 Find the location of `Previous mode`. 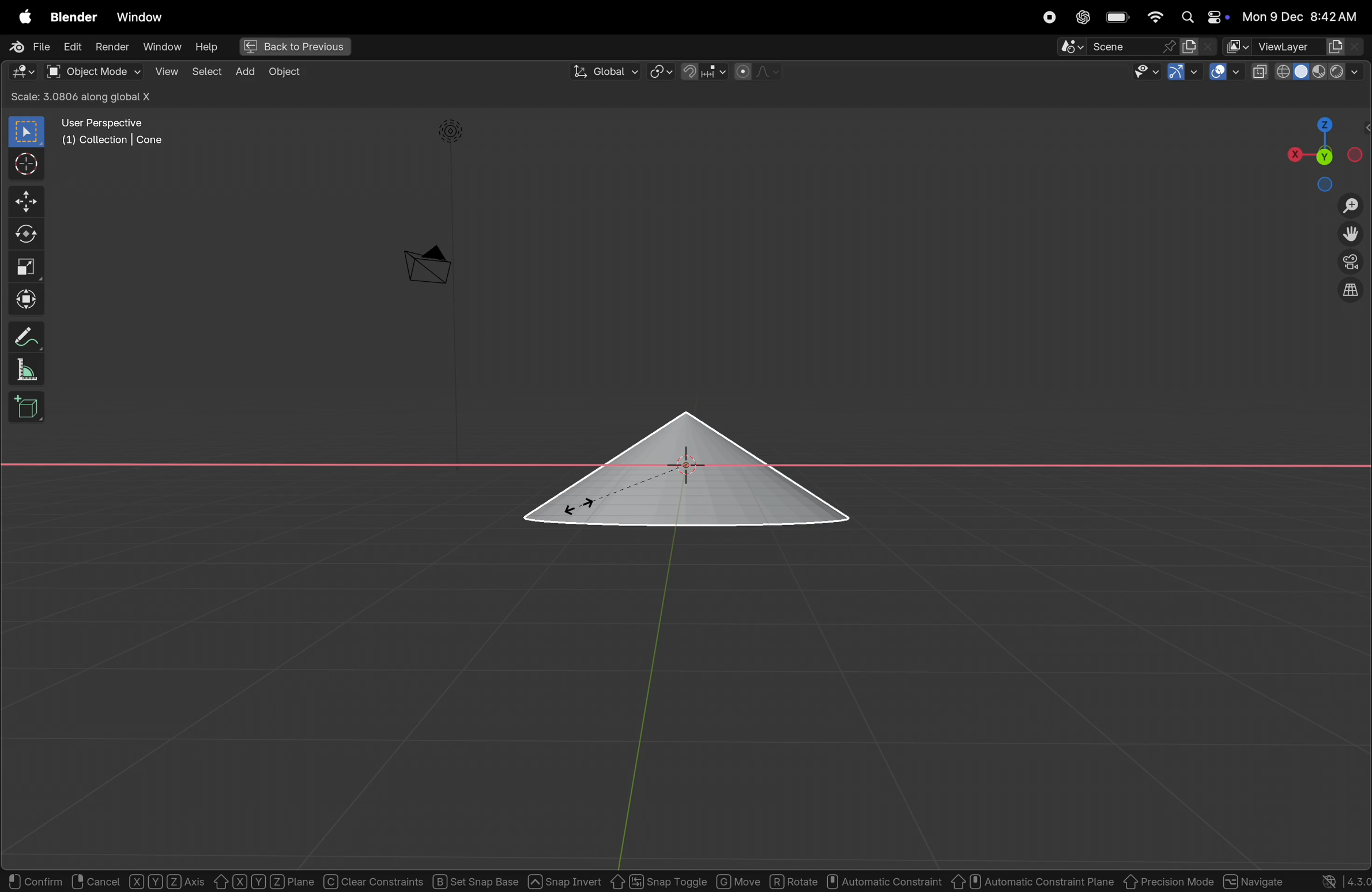

Previous mode is located at coordinates (1169, 882).